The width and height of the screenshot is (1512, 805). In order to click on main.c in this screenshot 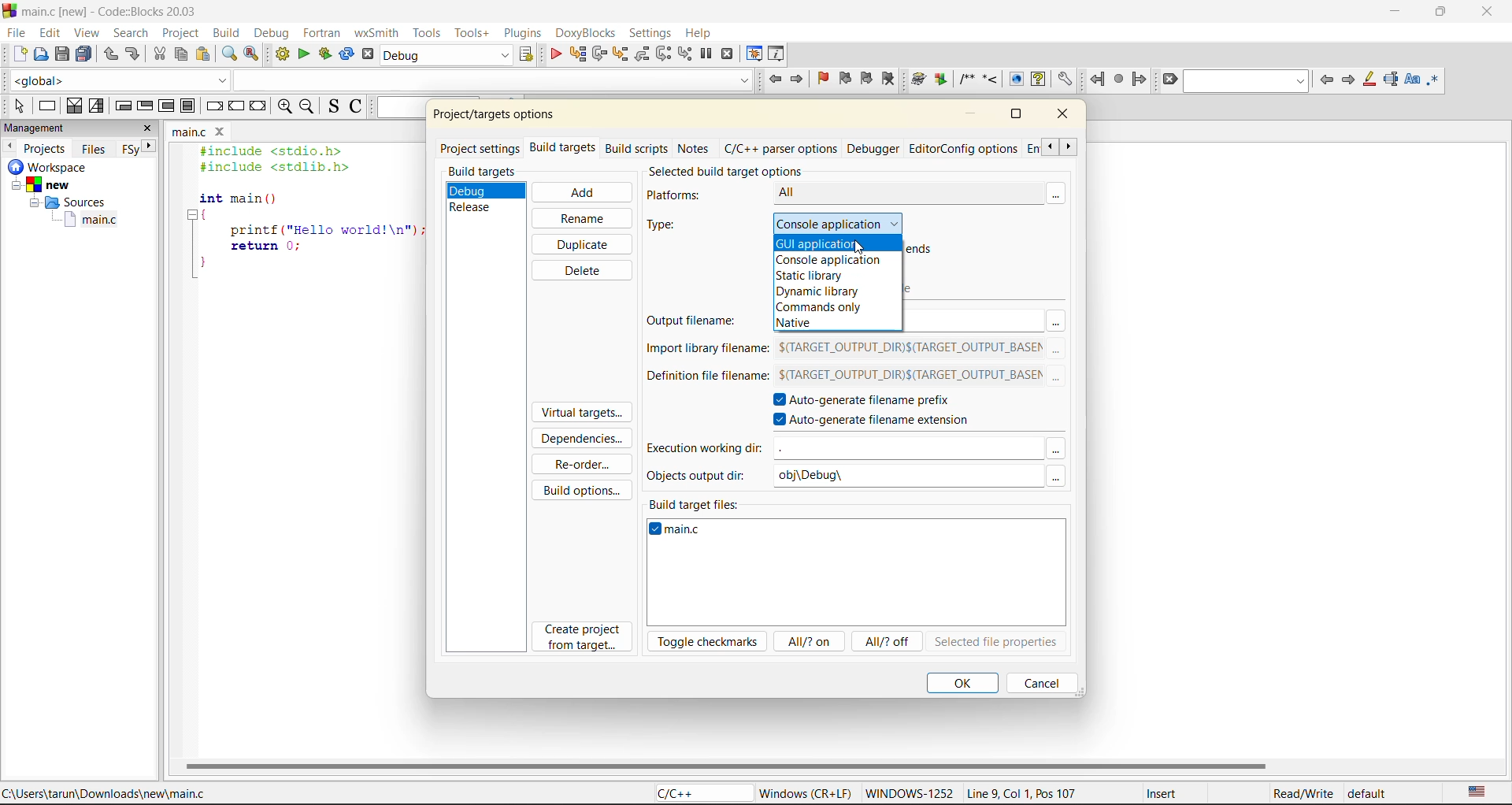, I will do `click(72, 220)`.